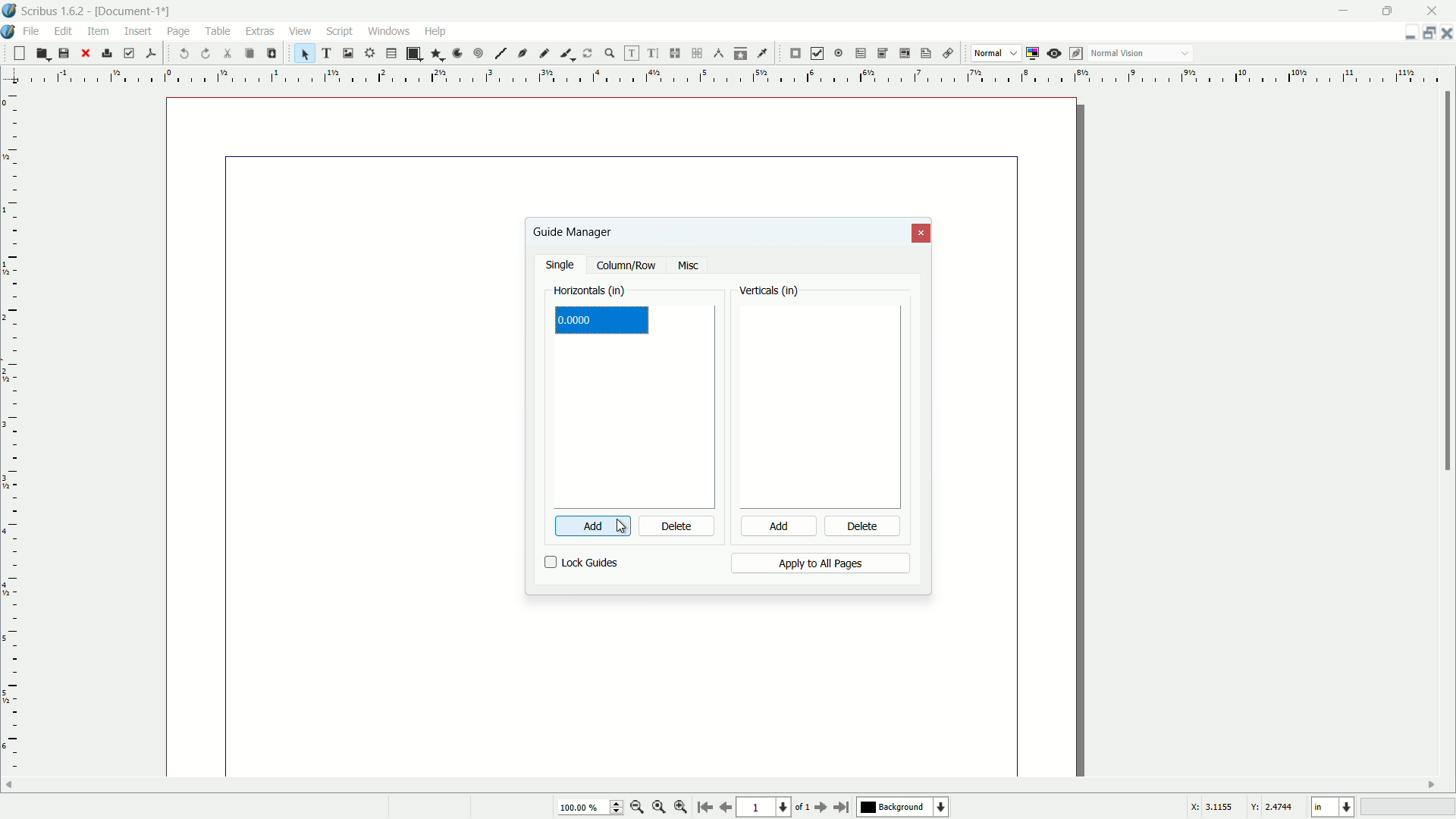 This screenshot has height=819, width=1456. What do you see at coordinates (218, 30) in the screenshot?
I see `table menu` at bounding box center [218, 30].